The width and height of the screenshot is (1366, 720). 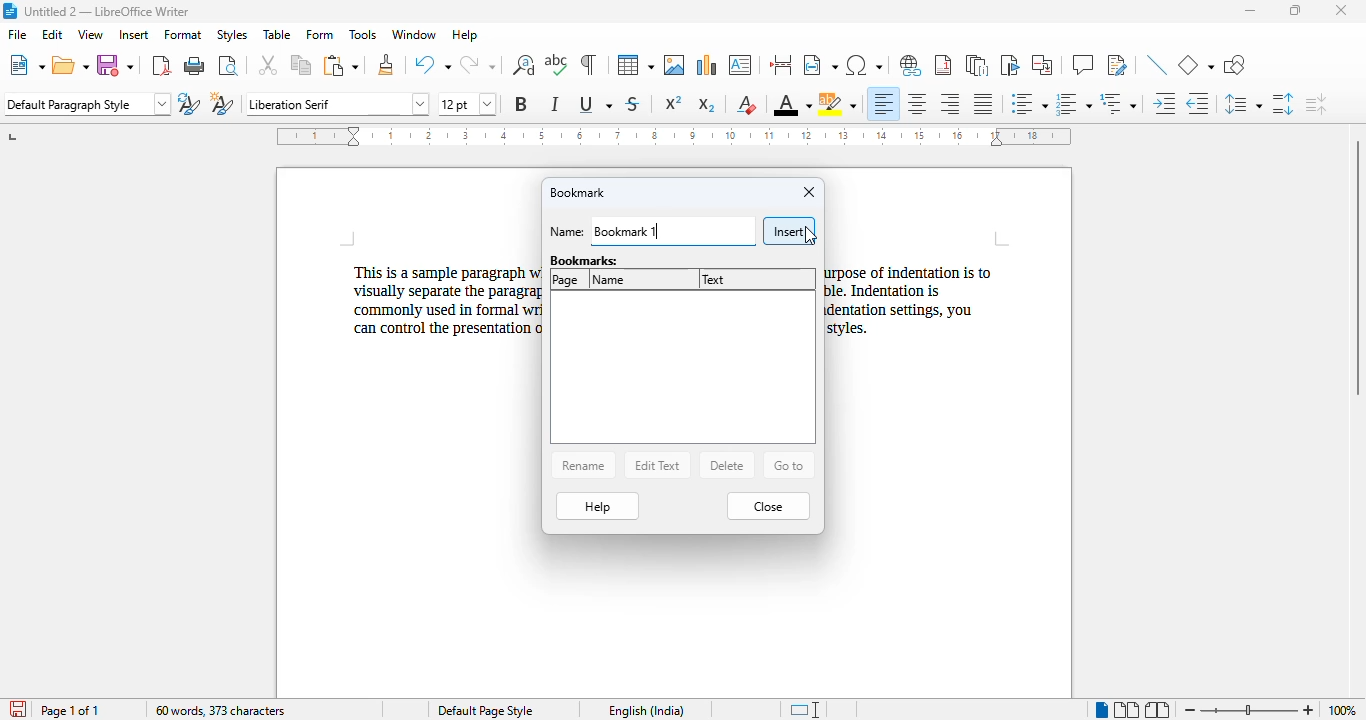 I want to click on name: Bookmark 1, so click(x=653, y=232).